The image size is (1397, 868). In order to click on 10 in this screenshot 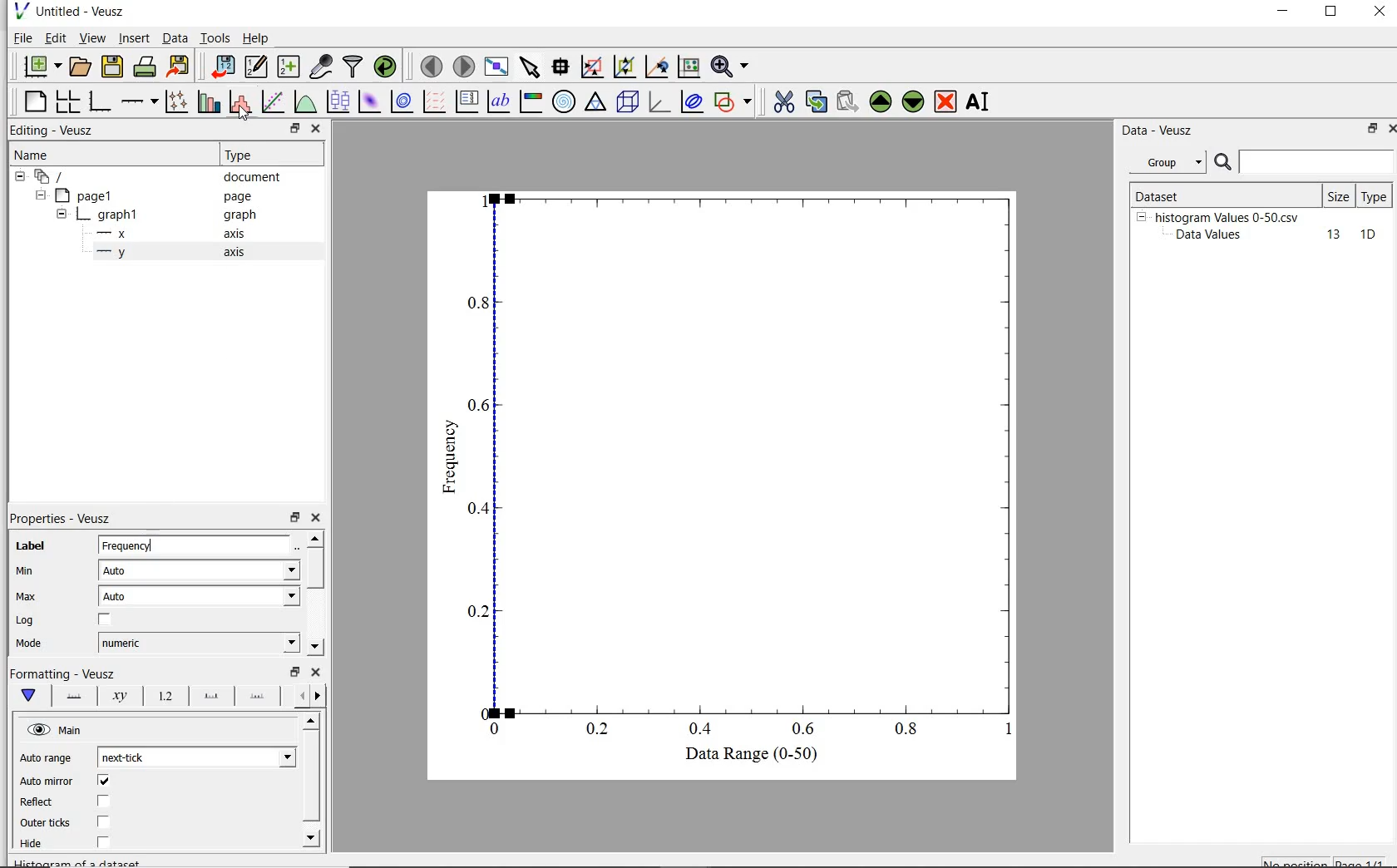, I will do `click(1368, 235)`.